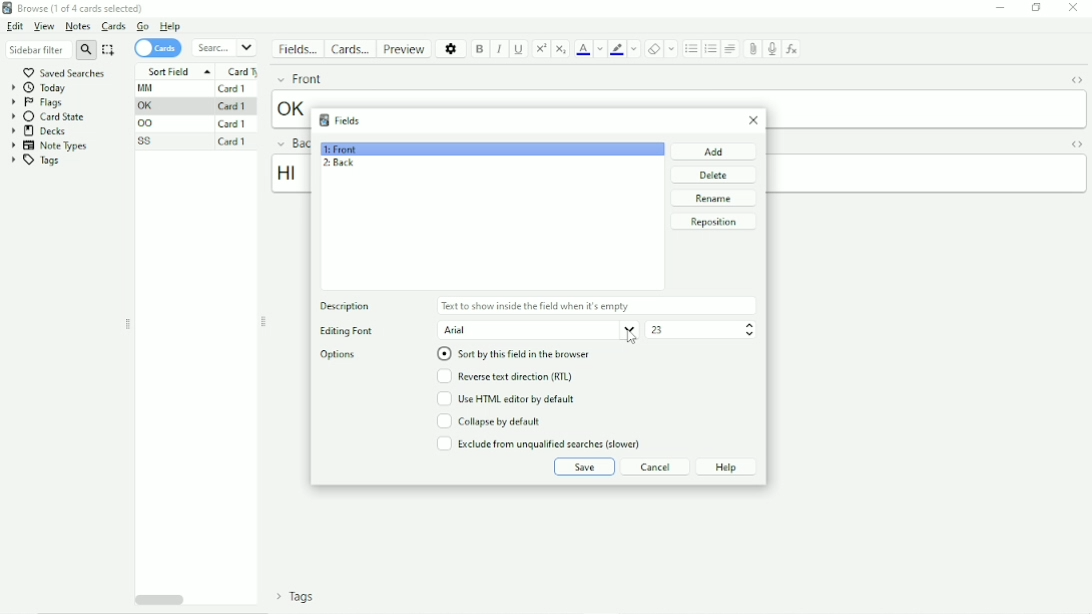 The width and height of the screenshot is (1092, 614). I want to click on Options, so click(452, 48).